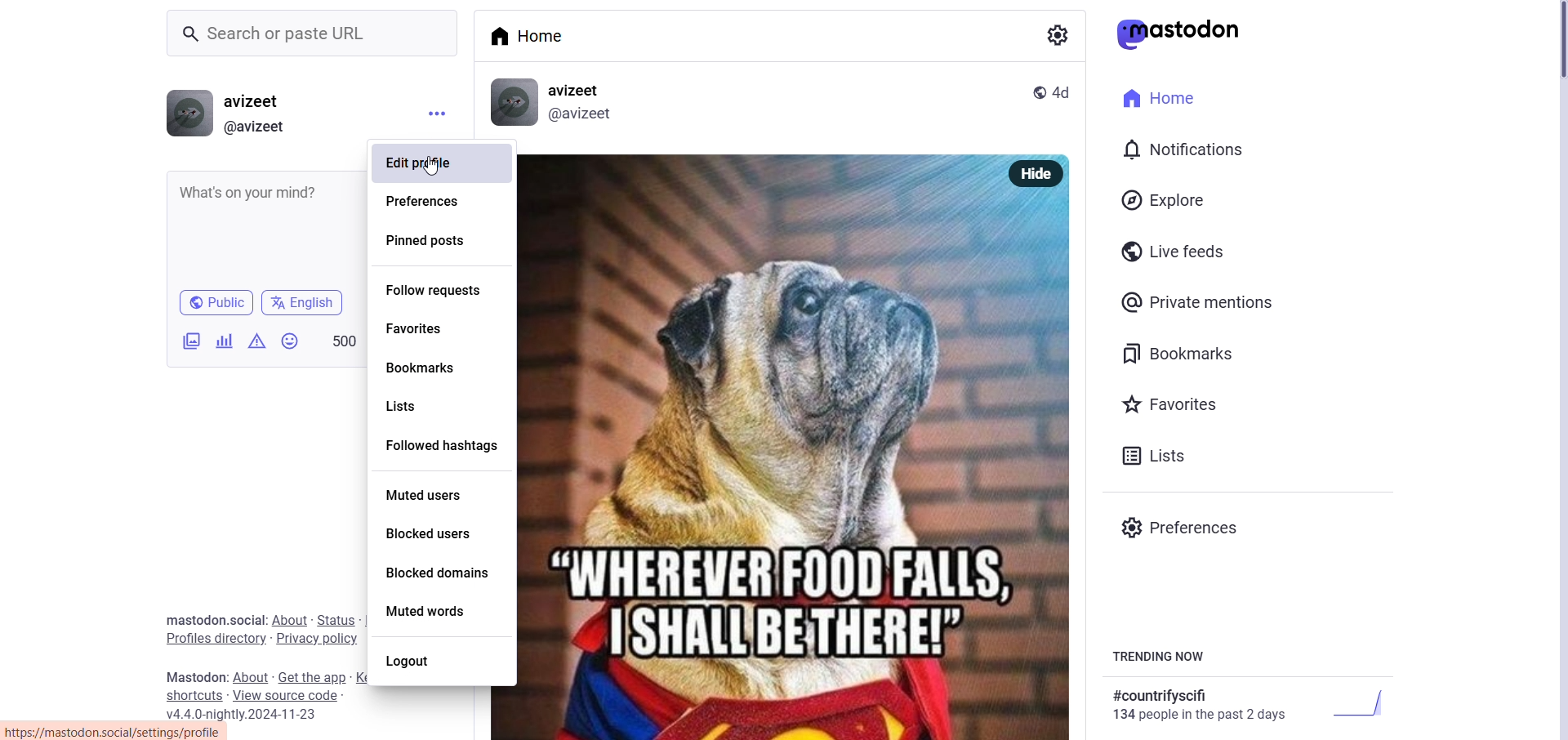  What do you see at coordinates (191, 341) in the screenshot?
I see `image/video` at bounding box center [191, 341].